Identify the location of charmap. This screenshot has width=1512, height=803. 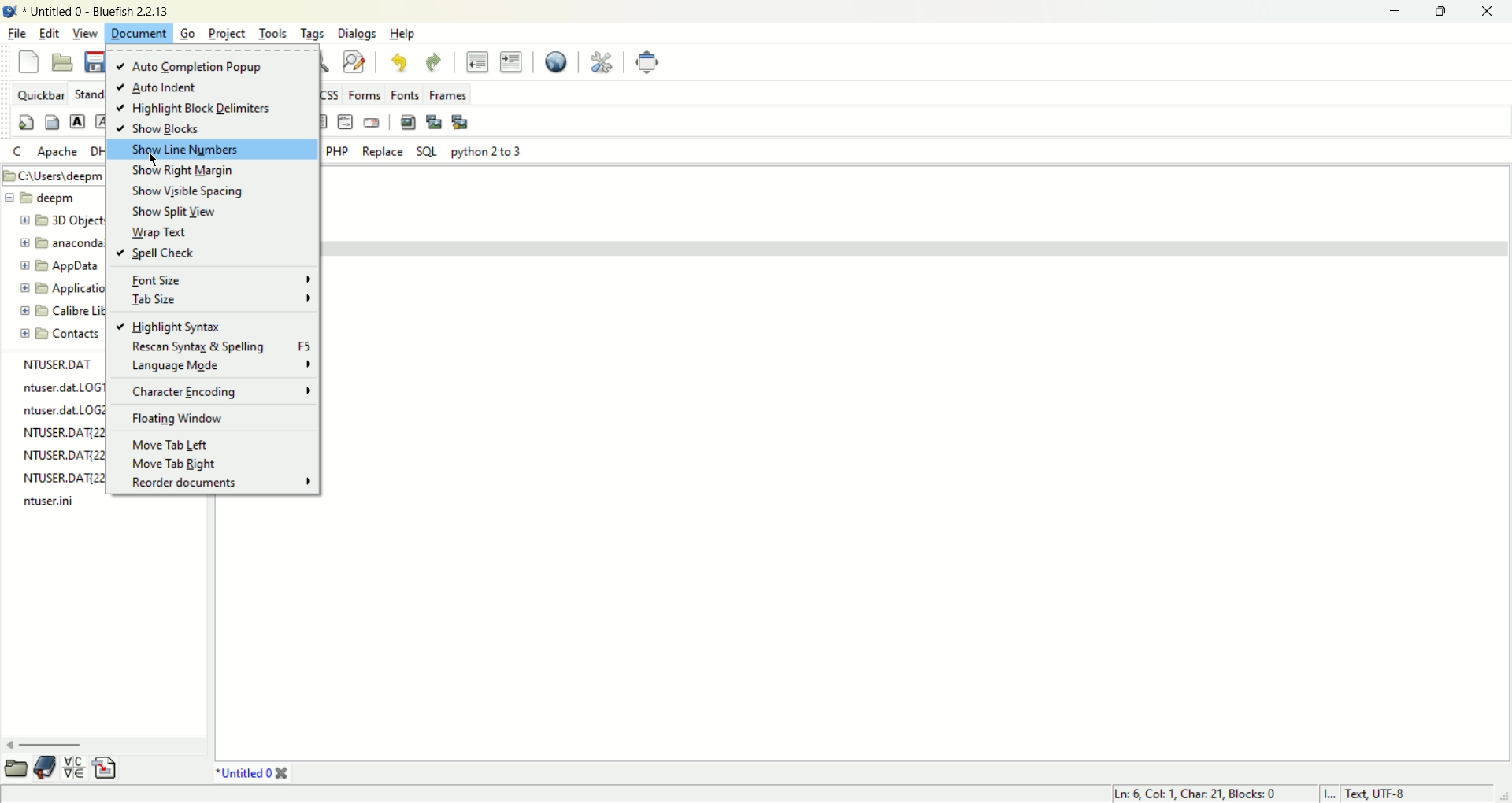
(72, 767).